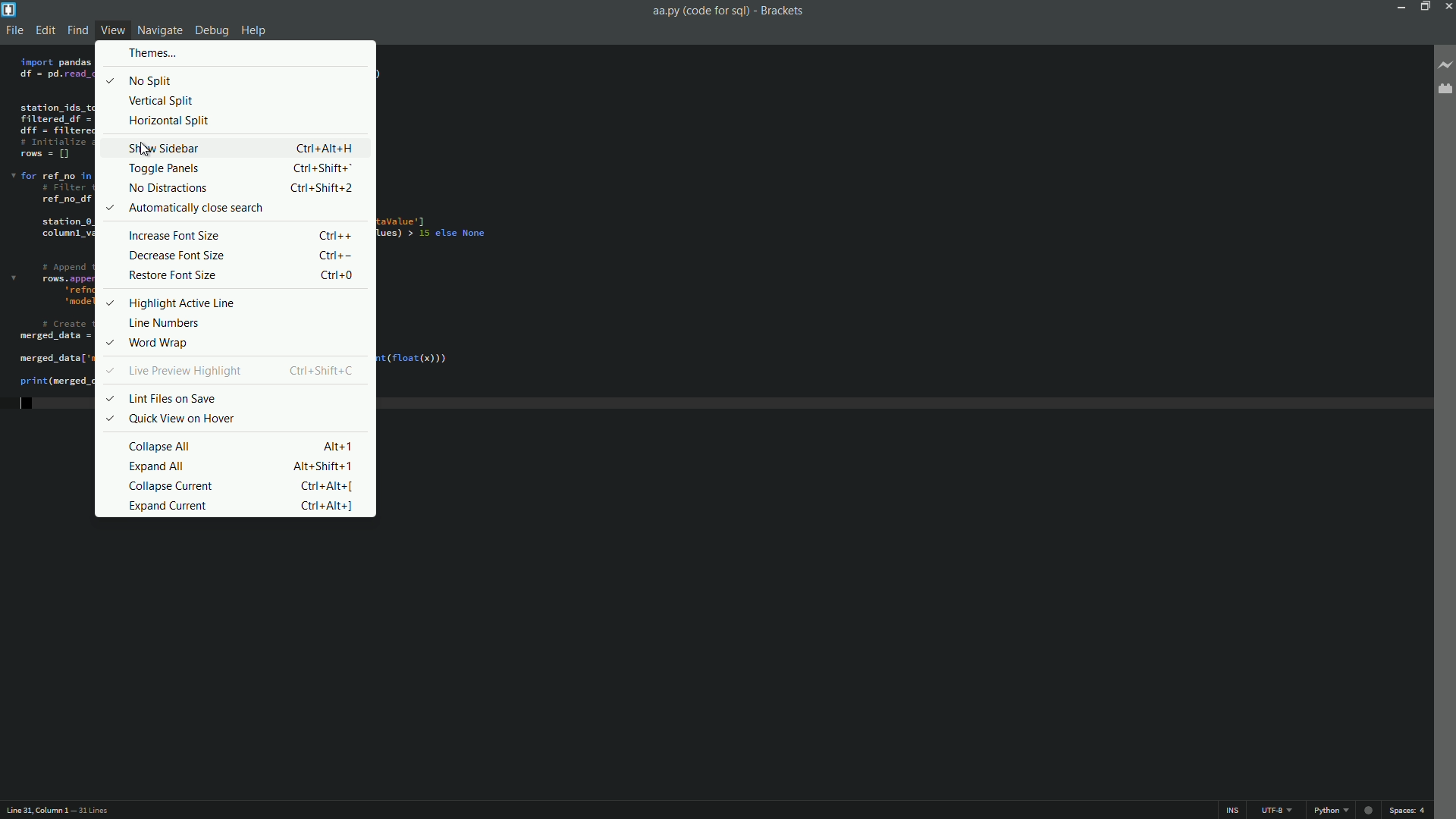 The image size is (1456, 819). What do you see at coordinates (9, 10) in the screenshot?
I see `app icon` at bounding box center [9, 10].